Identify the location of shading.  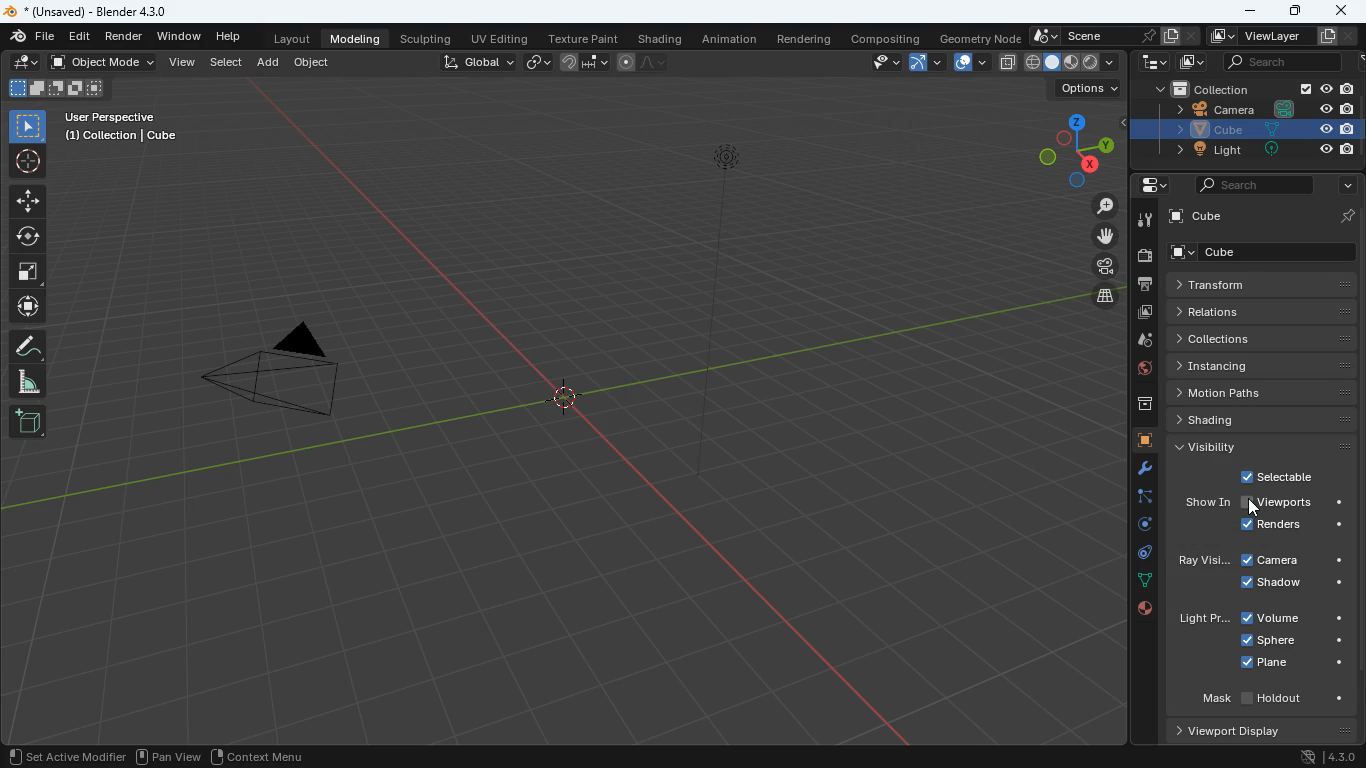
(659, 38).